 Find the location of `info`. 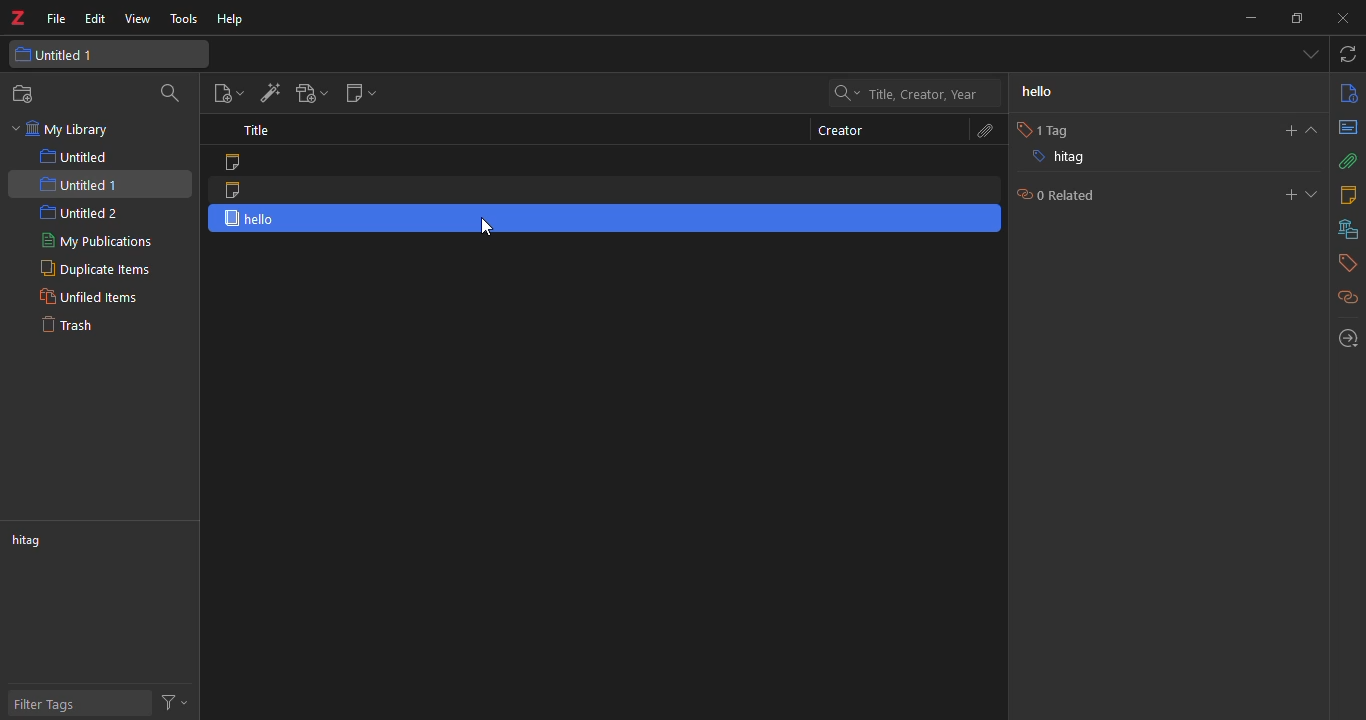

info is located at coordinates (1344, 93).